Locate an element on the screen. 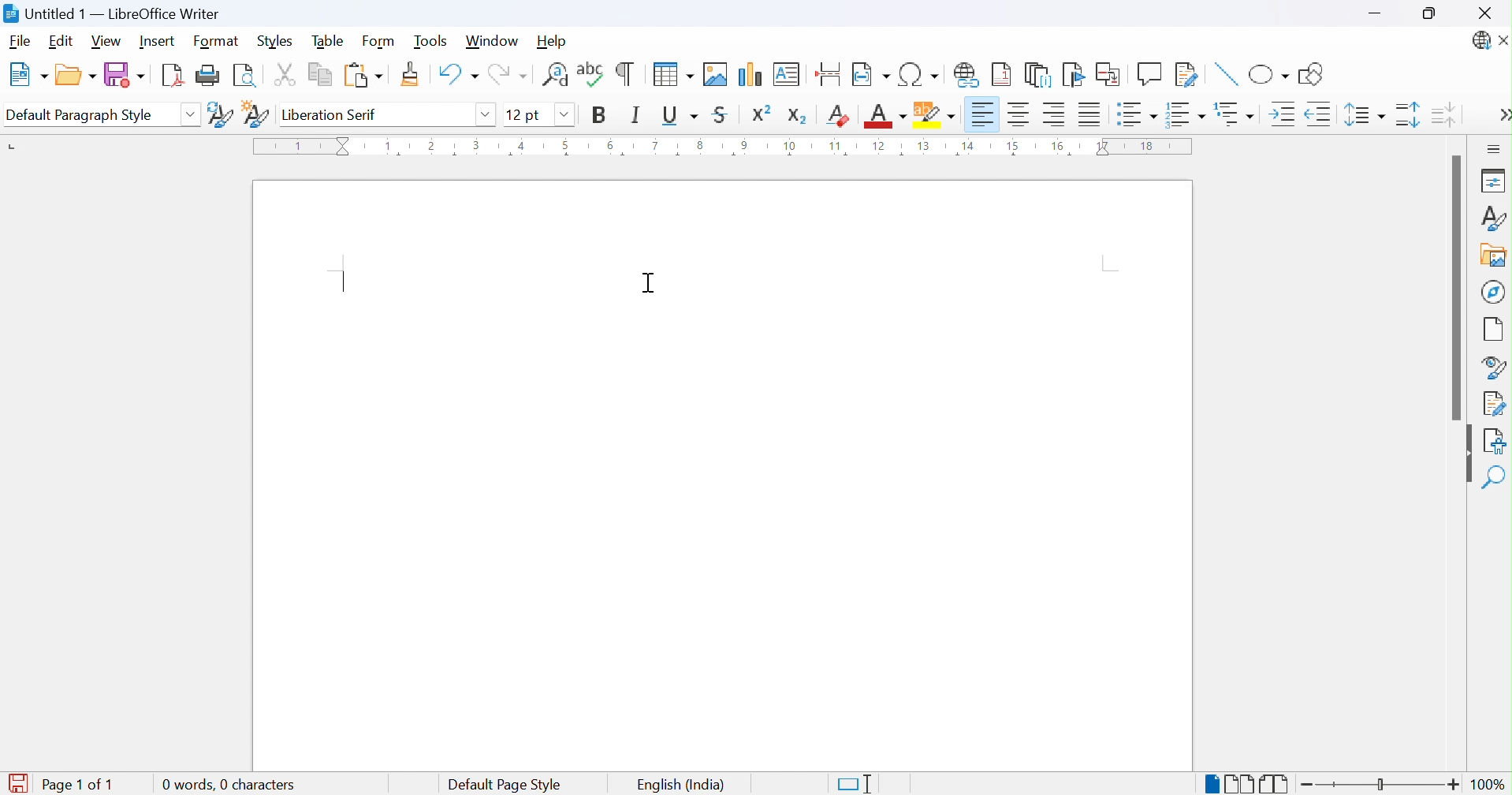 This screenshot has height=795, width=1512. Insert is located at coordinates (157, 39).